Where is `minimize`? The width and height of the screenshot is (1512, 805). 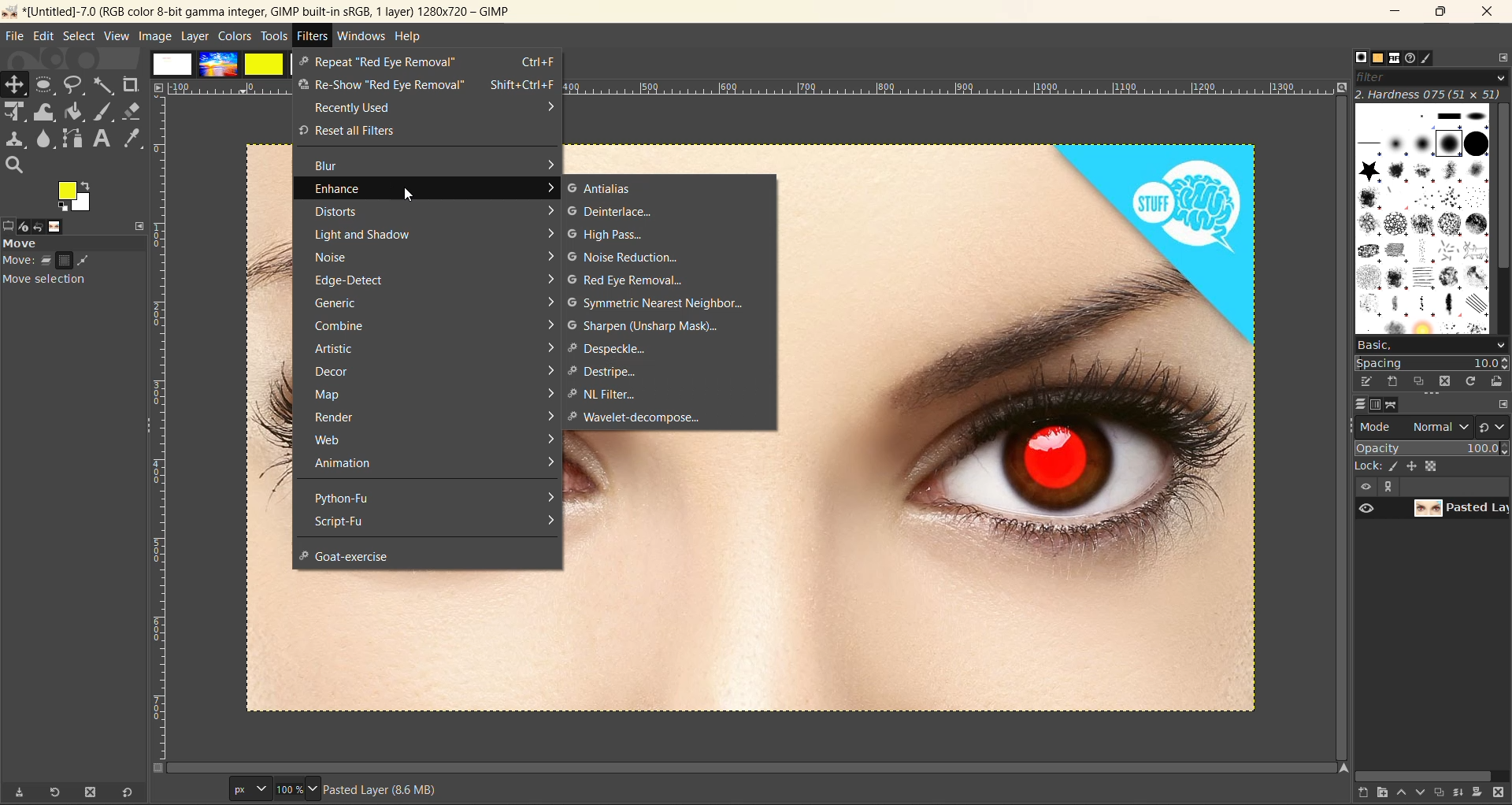 minimize is located at coordinates (1392, 13).